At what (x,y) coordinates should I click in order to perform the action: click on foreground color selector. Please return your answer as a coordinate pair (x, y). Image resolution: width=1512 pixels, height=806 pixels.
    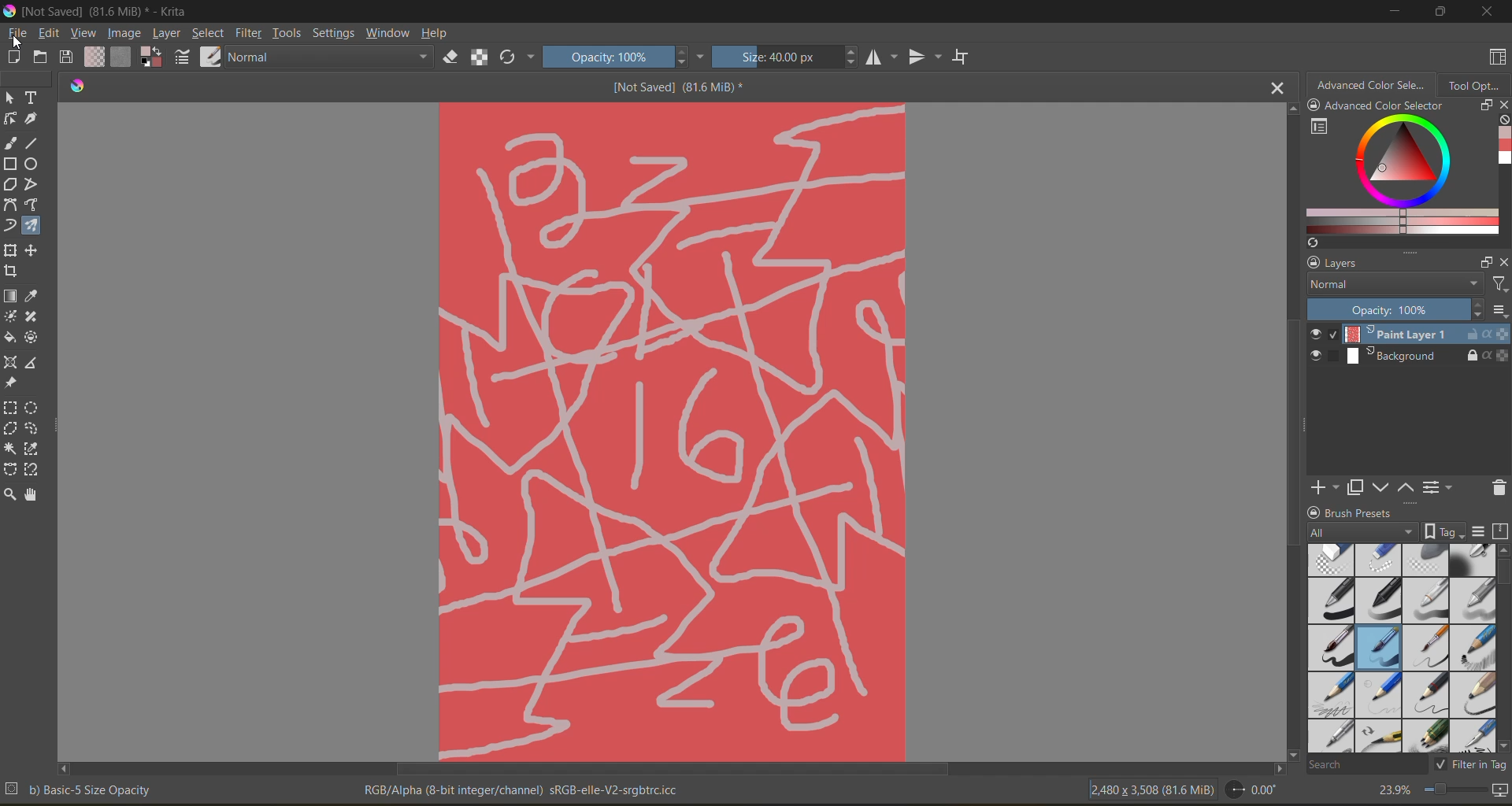
    Looking at the image, I should click on (150, 59).